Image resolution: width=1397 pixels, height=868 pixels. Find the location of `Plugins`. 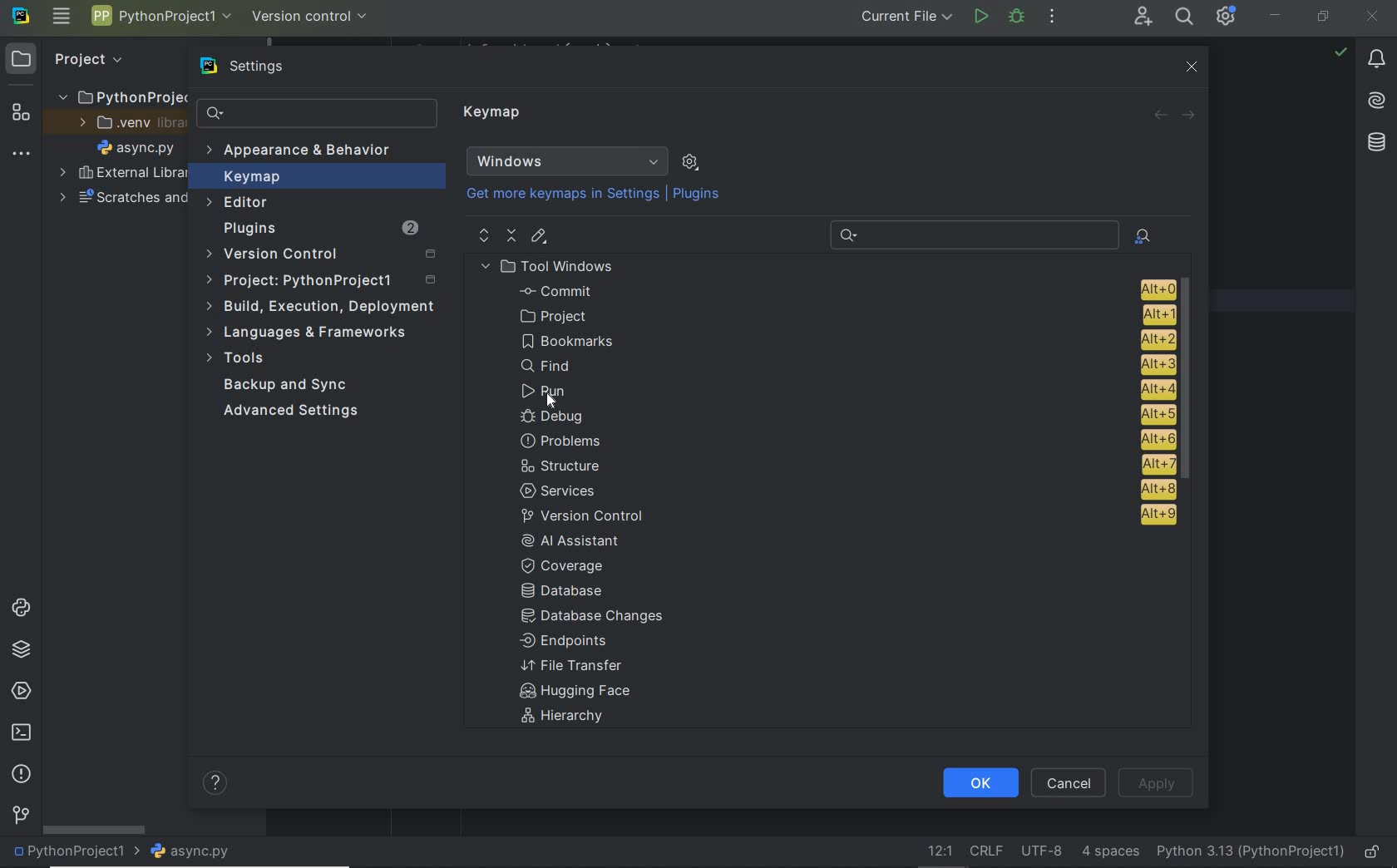

Plugins is located at coordinates (318, 229).